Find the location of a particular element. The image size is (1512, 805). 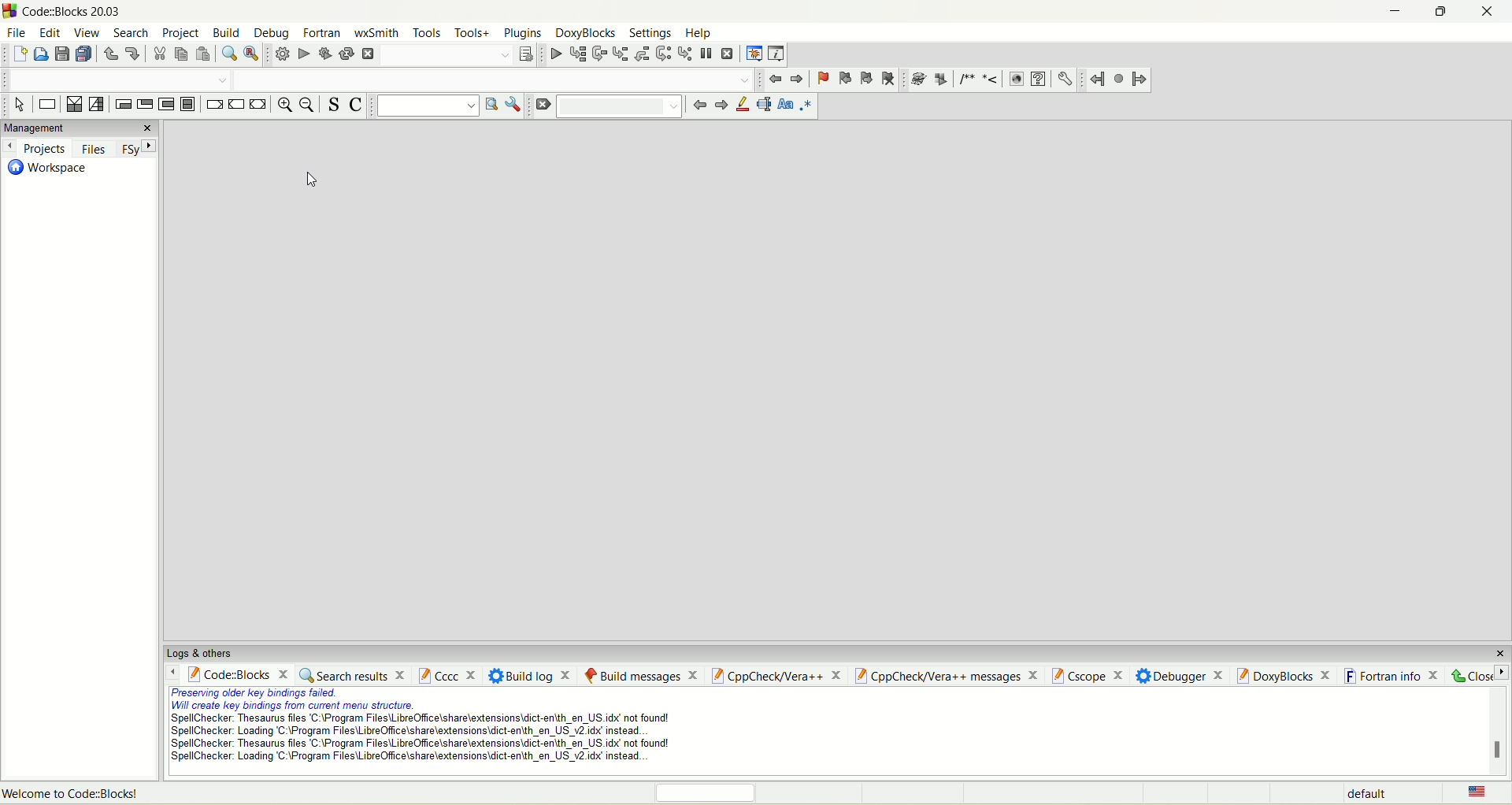

close is located at coordinates (149, 128).